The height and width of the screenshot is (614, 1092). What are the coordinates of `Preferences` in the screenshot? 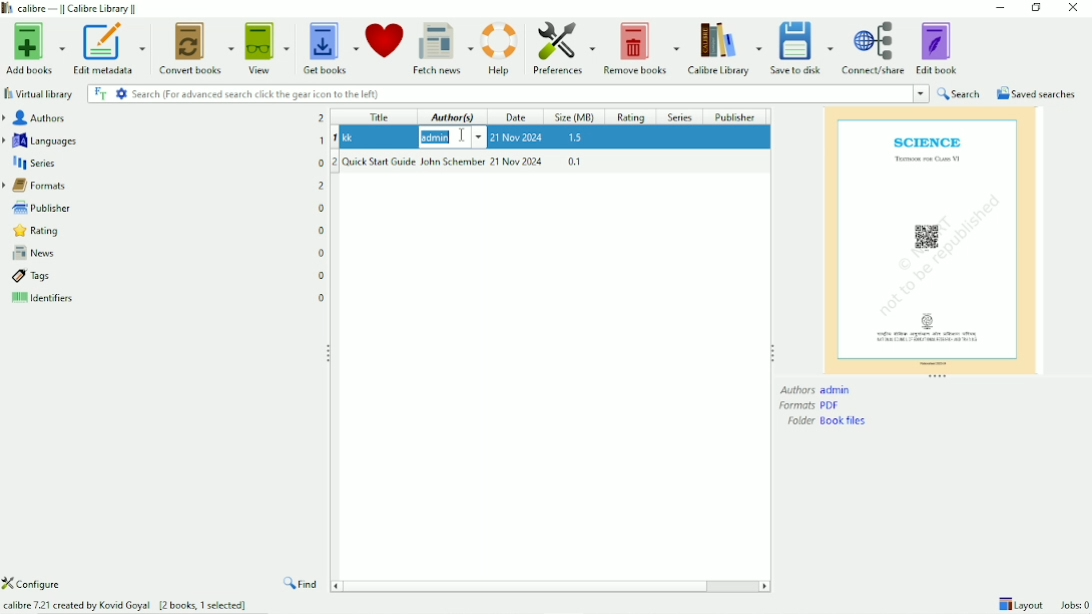 It's located at (561, 48).